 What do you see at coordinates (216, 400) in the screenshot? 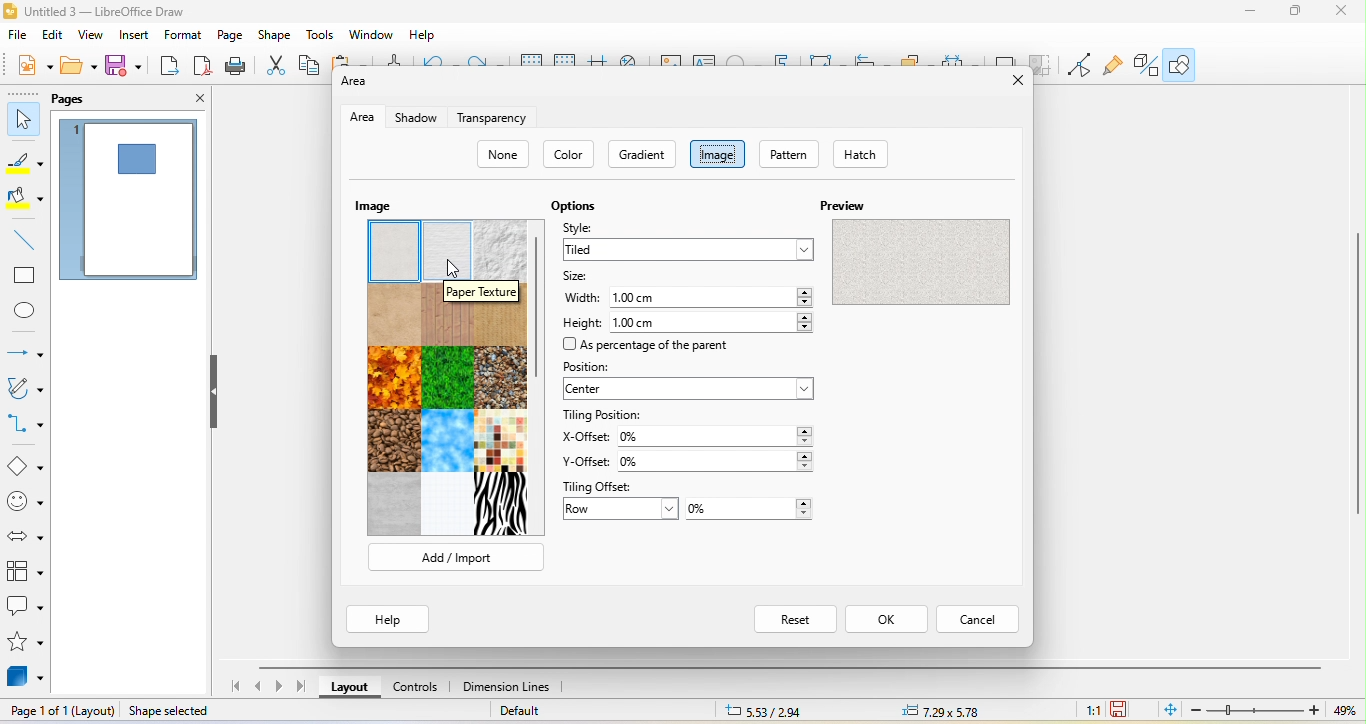
I see `hide` at bounding box center [216, 400].